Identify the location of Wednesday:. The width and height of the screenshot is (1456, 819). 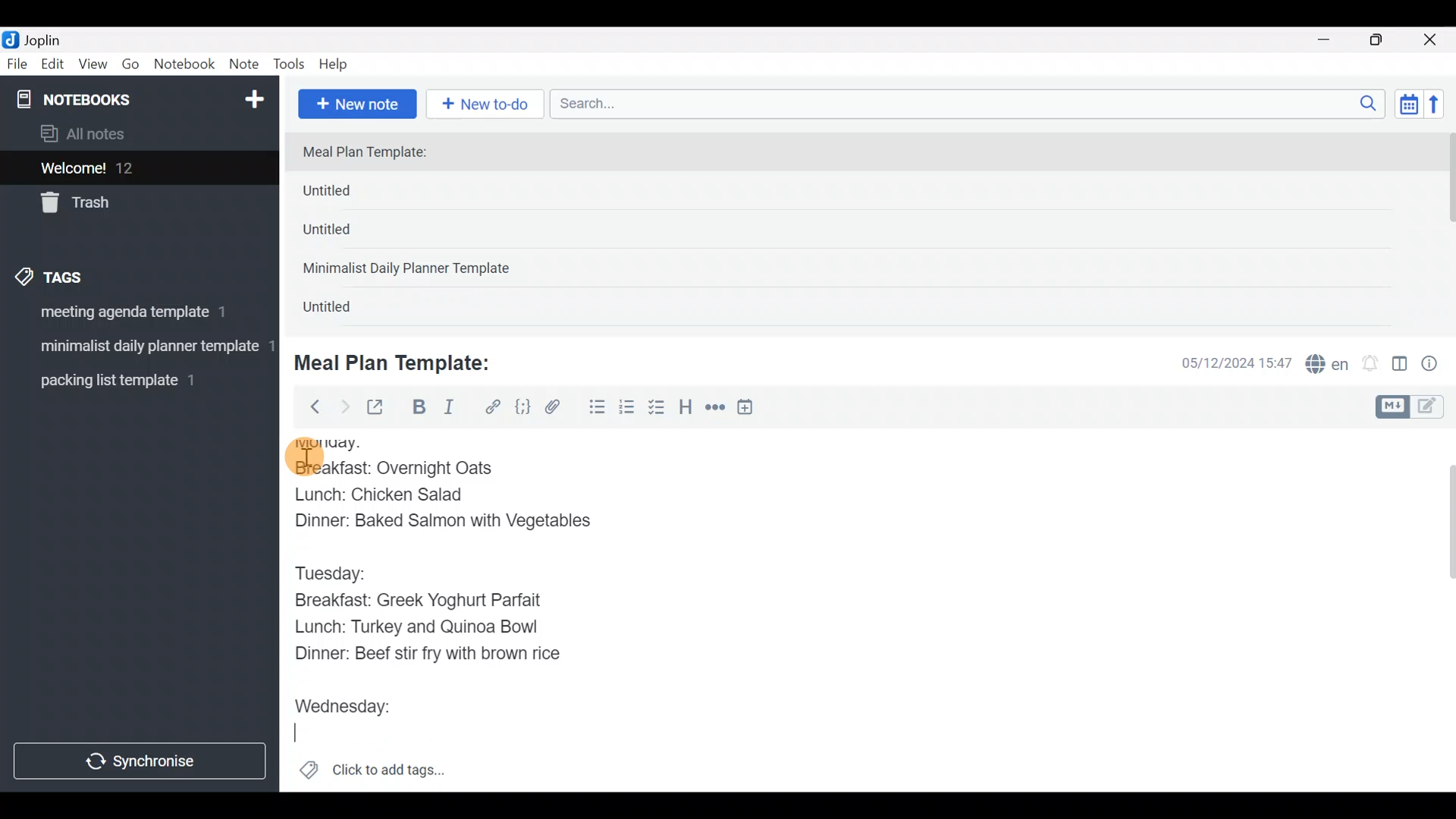
(351, 701).